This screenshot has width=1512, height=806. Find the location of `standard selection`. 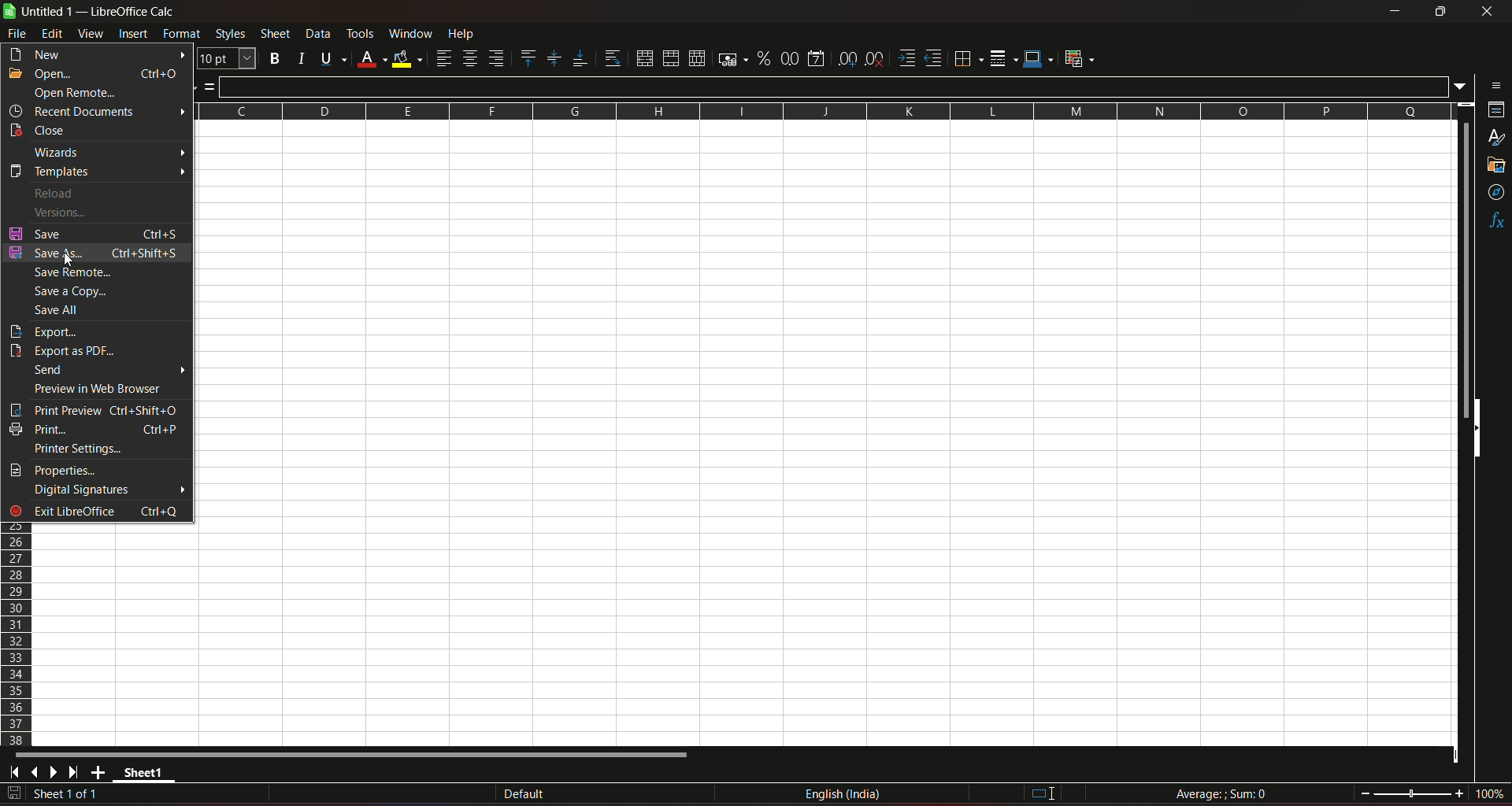

standard selection is located at coordinates (1040, 793).